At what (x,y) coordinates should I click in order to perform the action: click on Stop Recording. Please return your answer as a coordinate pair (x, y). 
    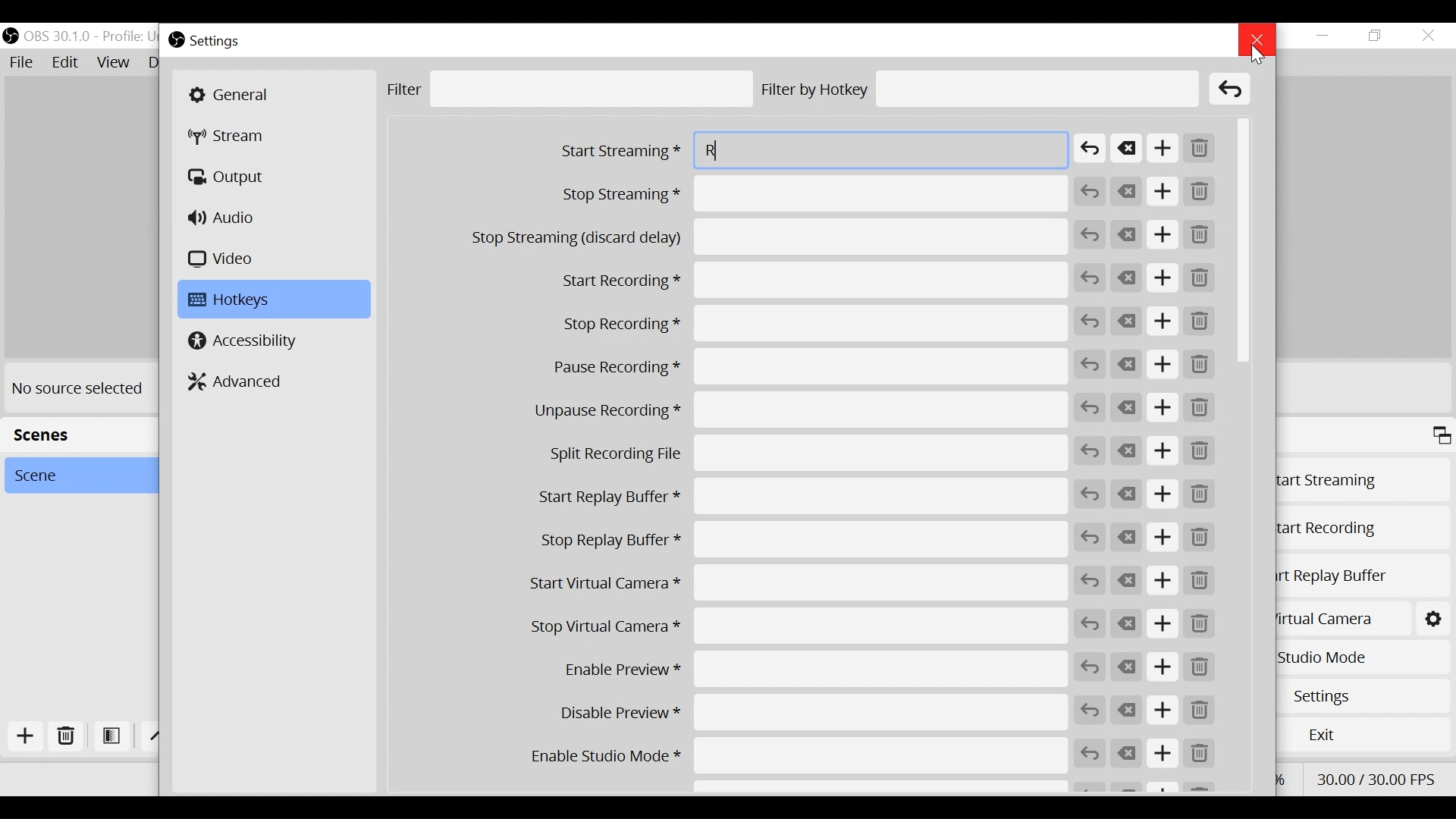
    Looking at the image, I should click on (799, 325).